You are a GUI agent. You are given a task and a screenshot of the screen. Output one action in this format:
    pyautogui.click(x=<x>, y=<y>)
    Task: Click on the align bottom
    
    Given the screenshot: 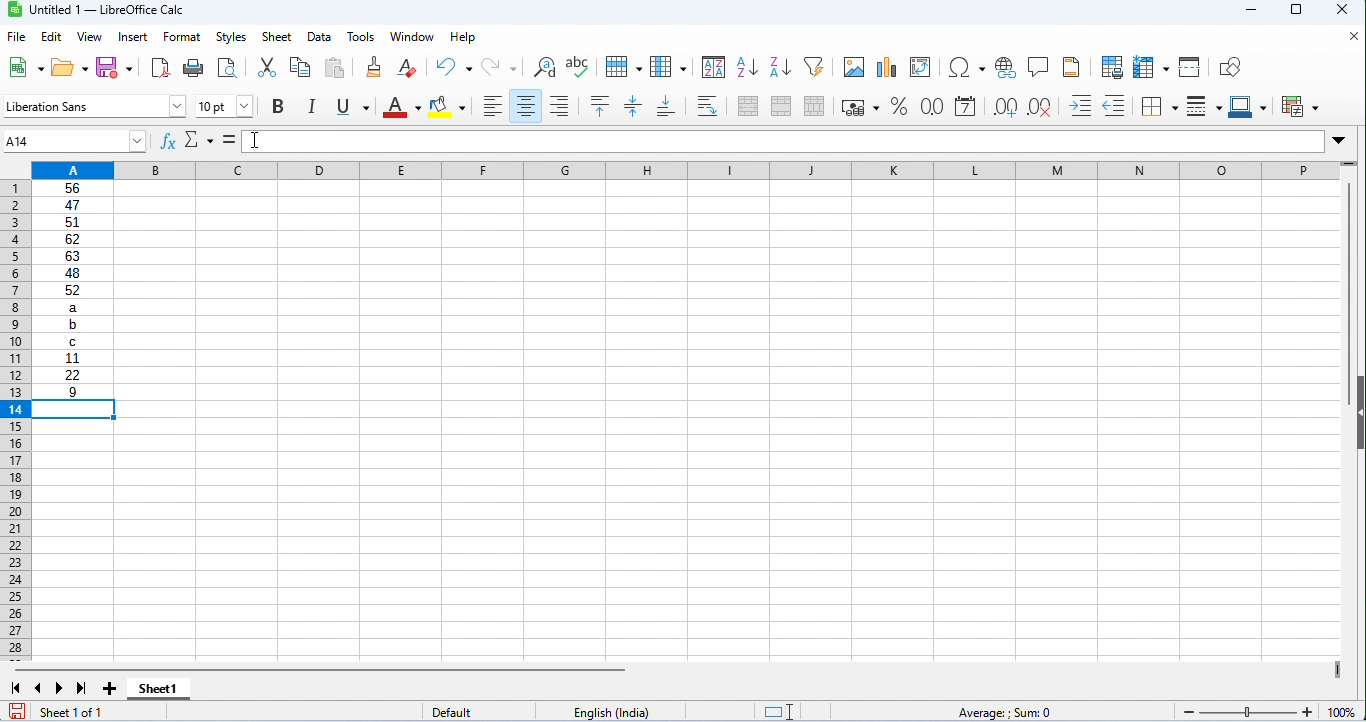 What is the action you would take?
    pyautogui.click(x=666, y=106)
    